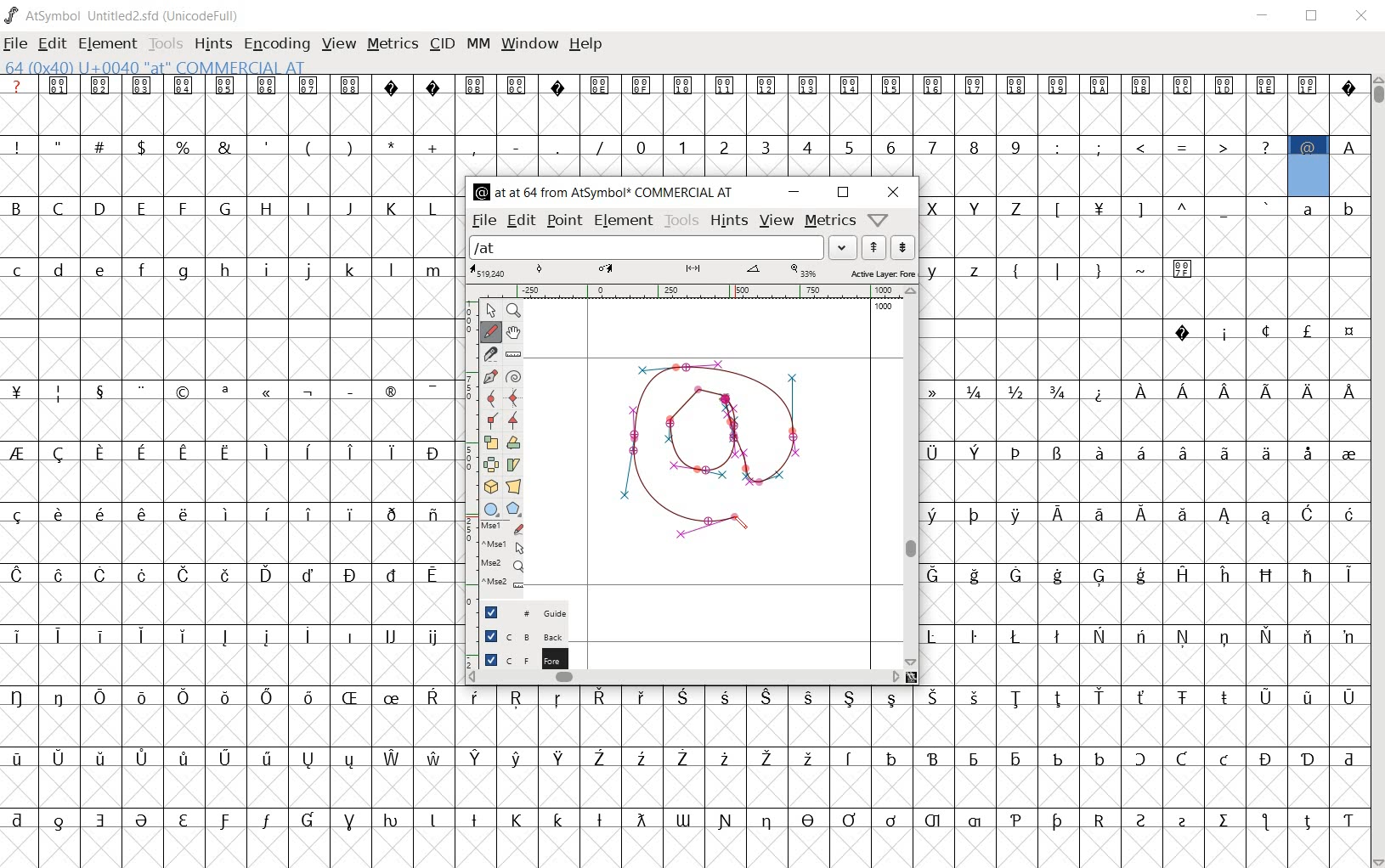  I want to click on SCROLLBAR, so click(1377, 472).